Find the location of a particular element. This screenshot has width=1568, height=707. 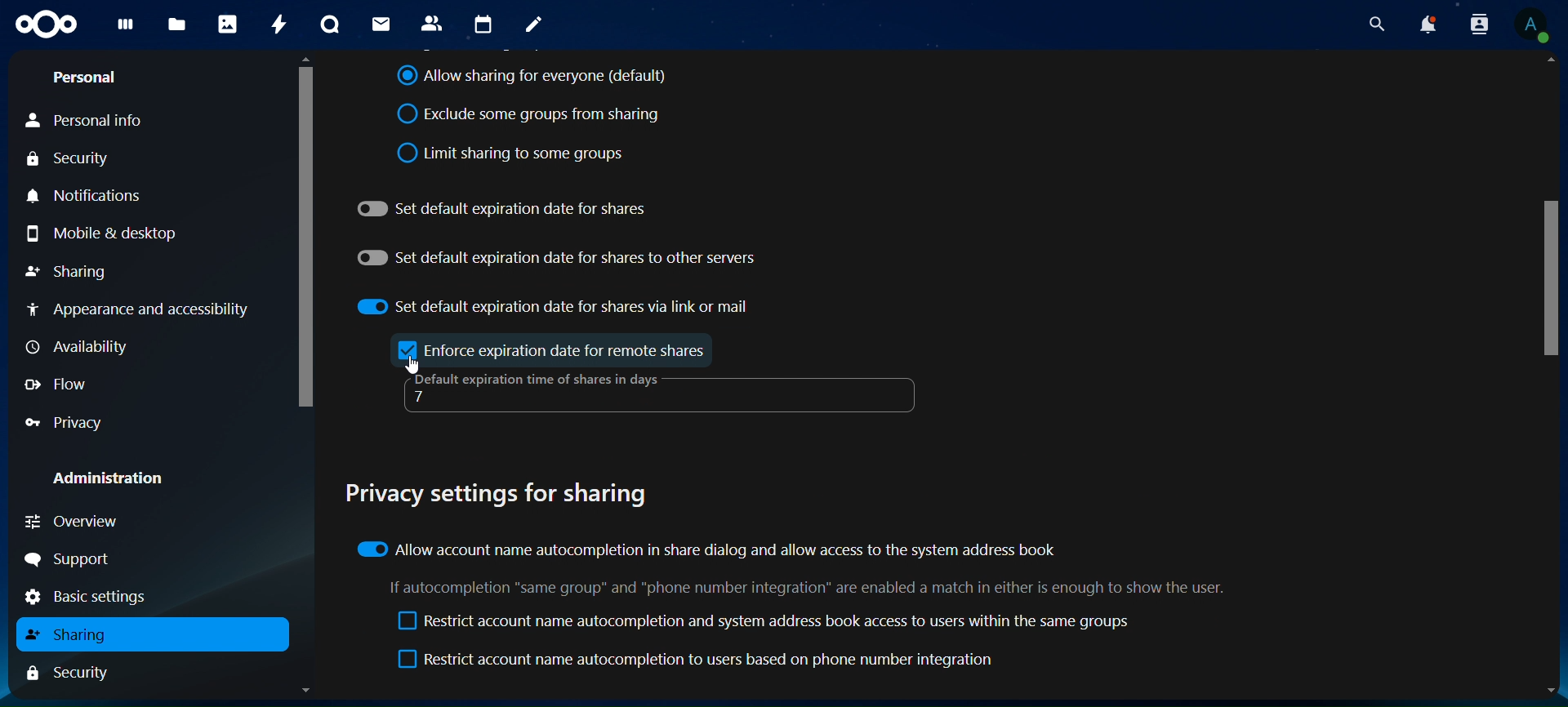

talk is located at coordinates (329, 24).